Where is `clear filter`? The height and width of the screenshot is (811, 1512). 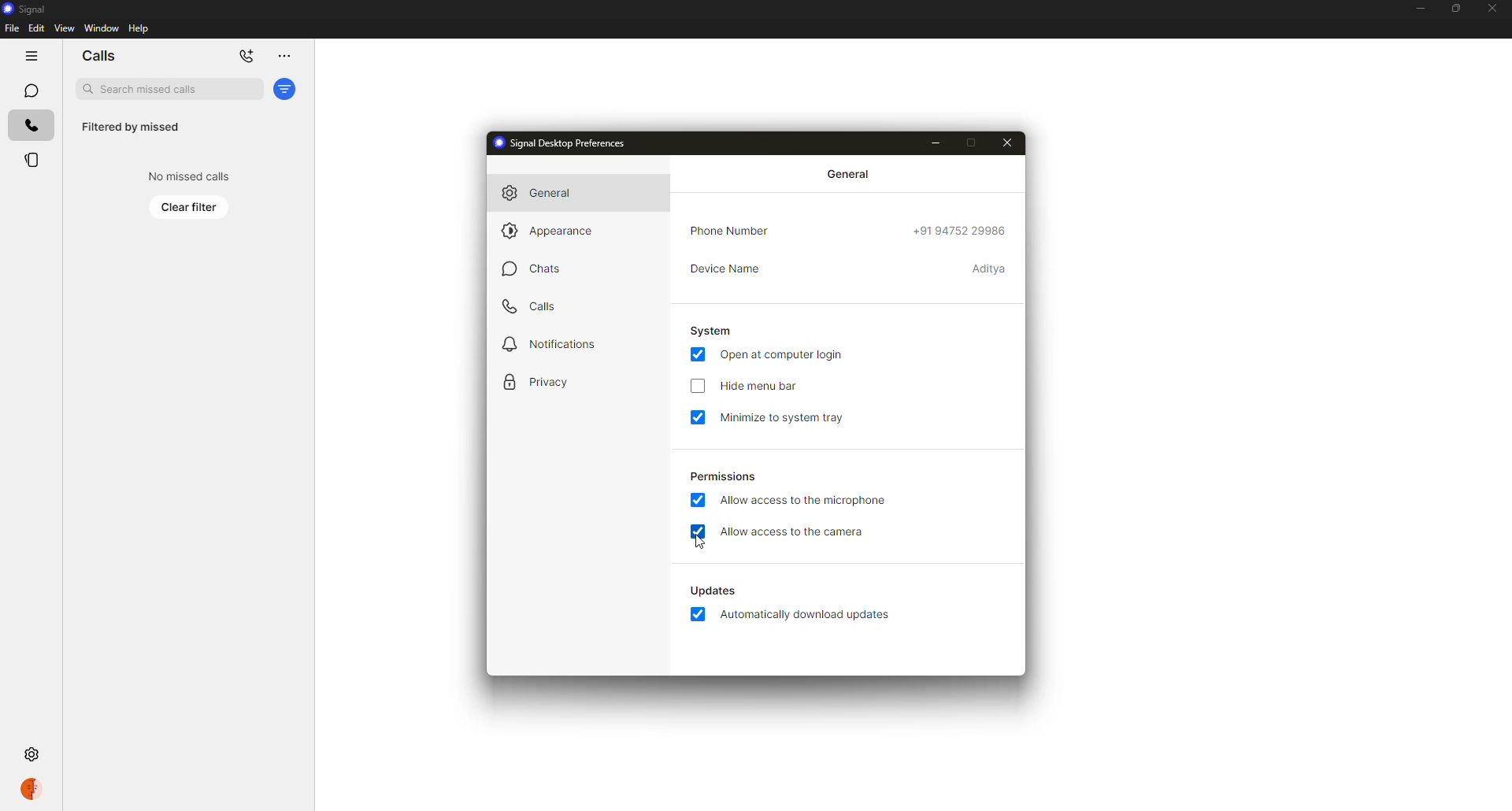 clear filter is located at coordinates (190, 206).